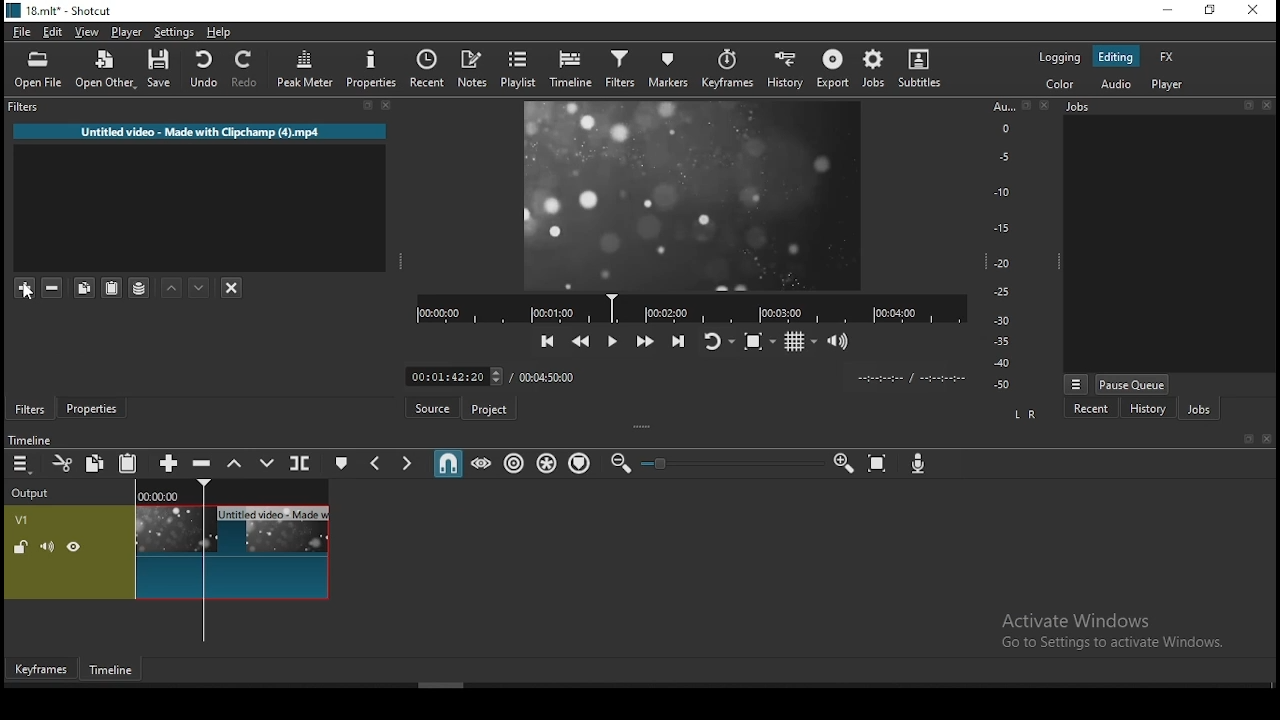  Describe the element at coordinates (919, 464) in the screenshot. I see `record audio` at that location.